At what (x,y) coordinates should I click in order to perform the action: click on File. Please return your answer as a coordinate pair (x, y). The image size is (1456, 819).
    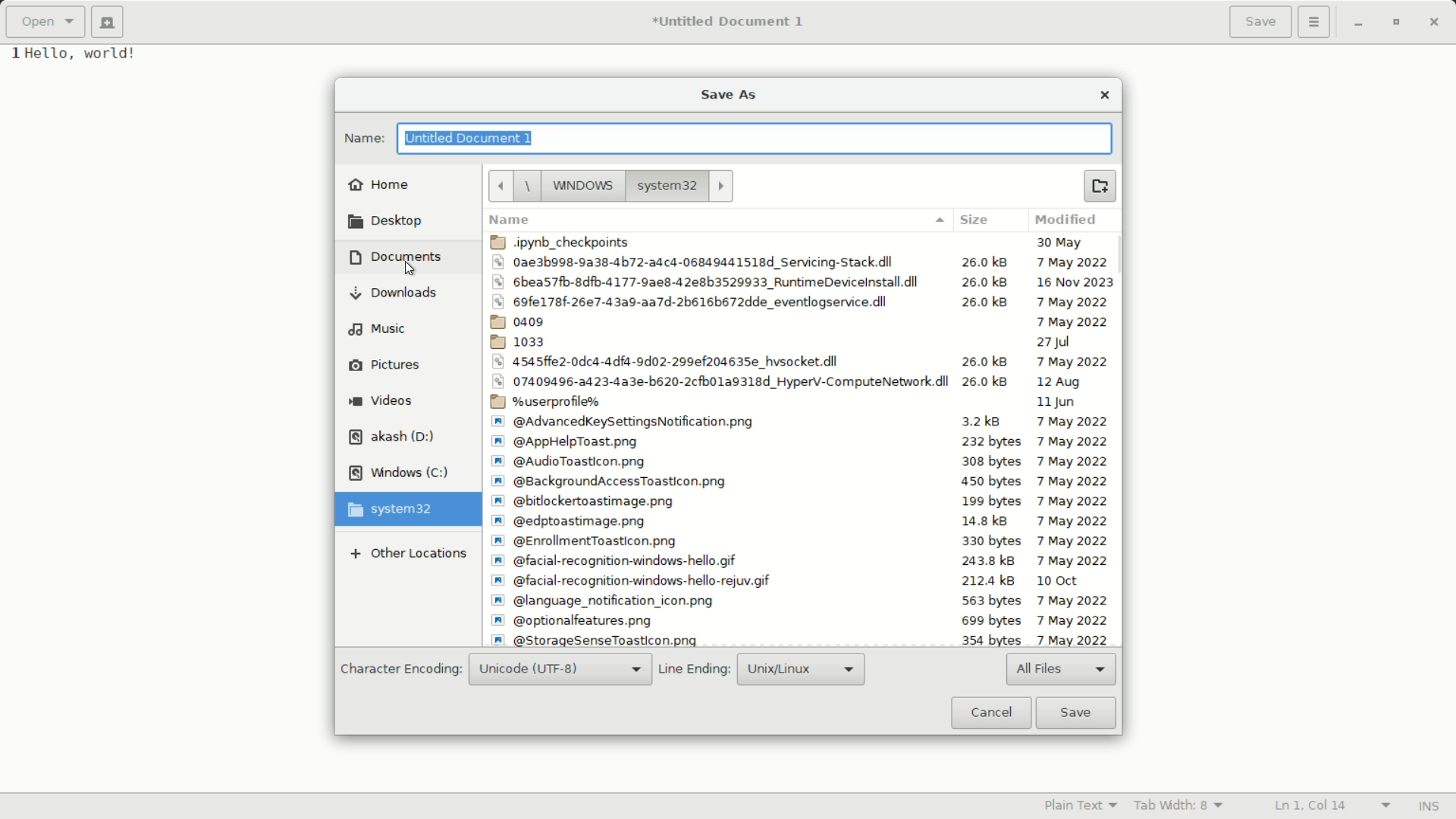
    Looking at the image, I should click on (803, 281).